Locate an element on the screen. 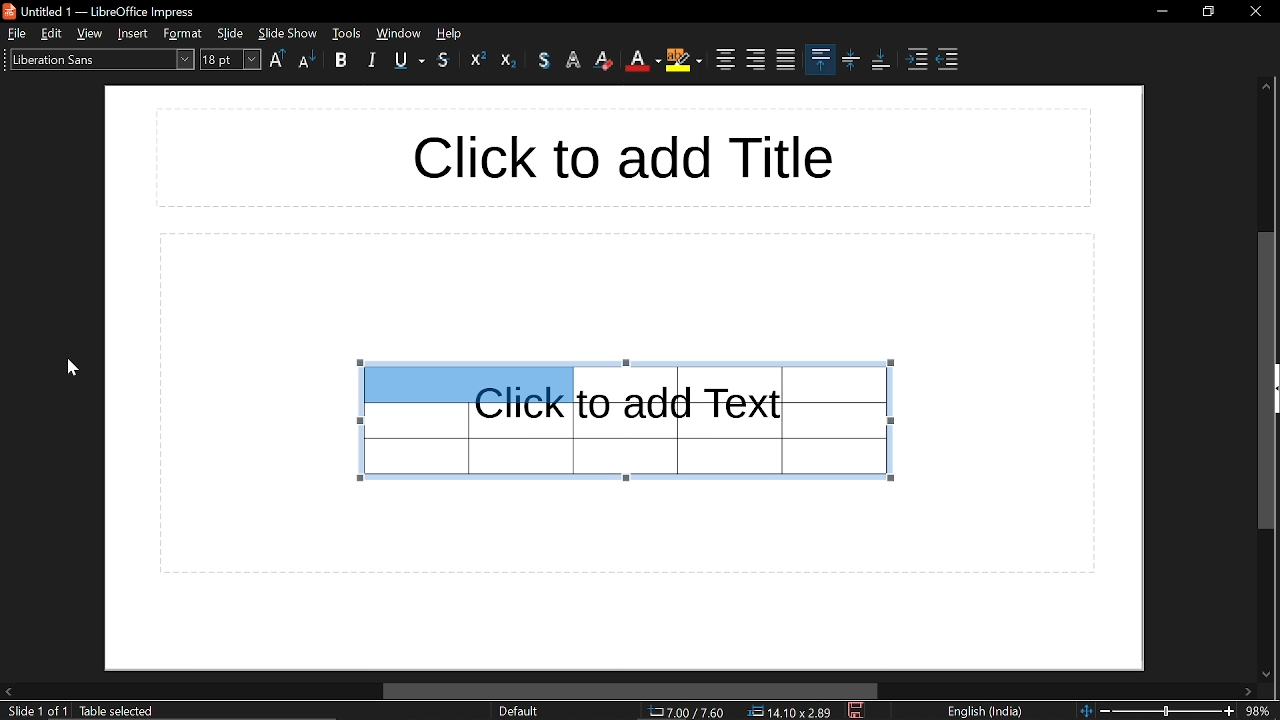 This screenshot has height=720, width=1280. move down is located at coordinates (1268, 673).